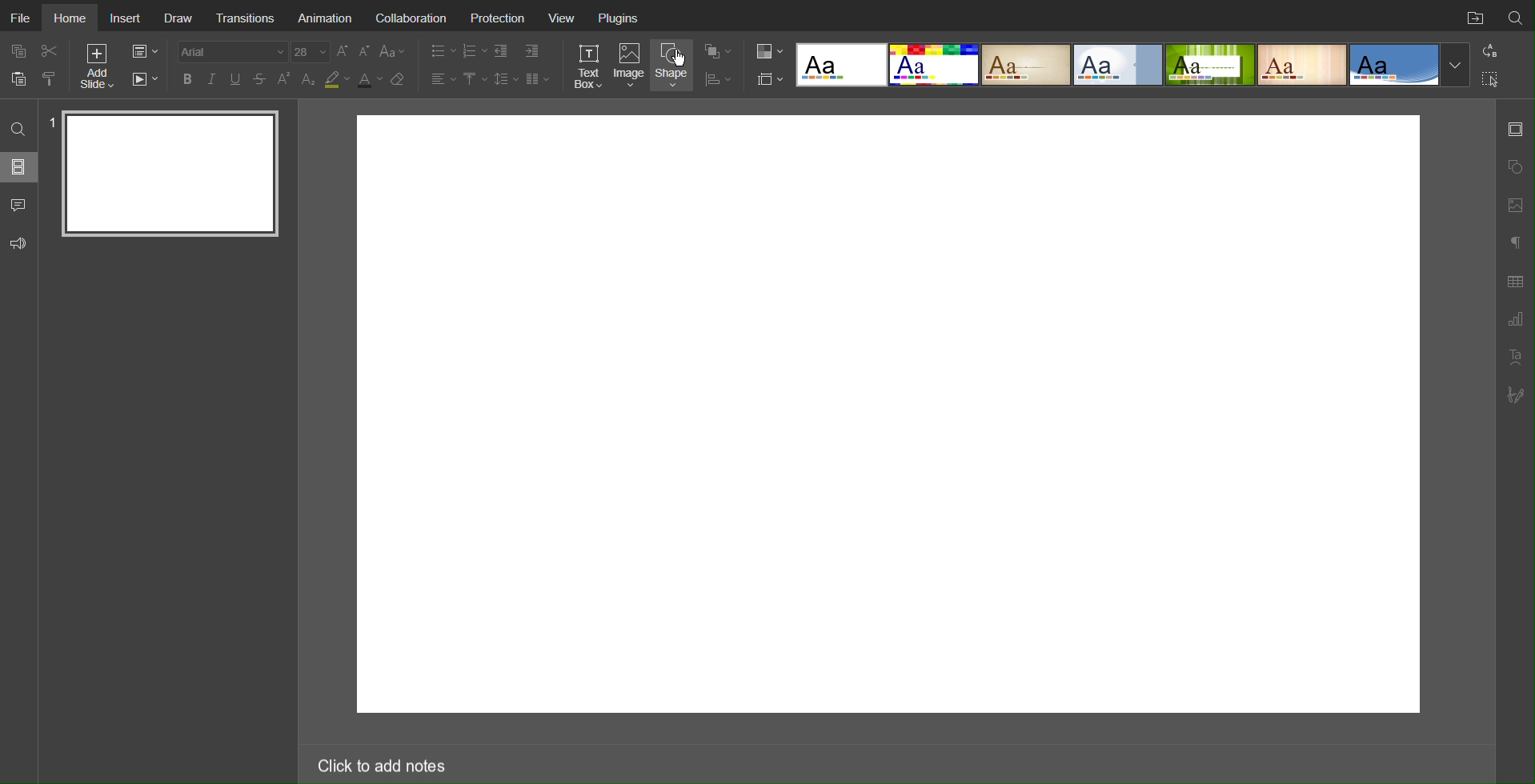 This screenshot has height=784, width=1535. I want to click on Vertical Alignment, so click(475, 79).